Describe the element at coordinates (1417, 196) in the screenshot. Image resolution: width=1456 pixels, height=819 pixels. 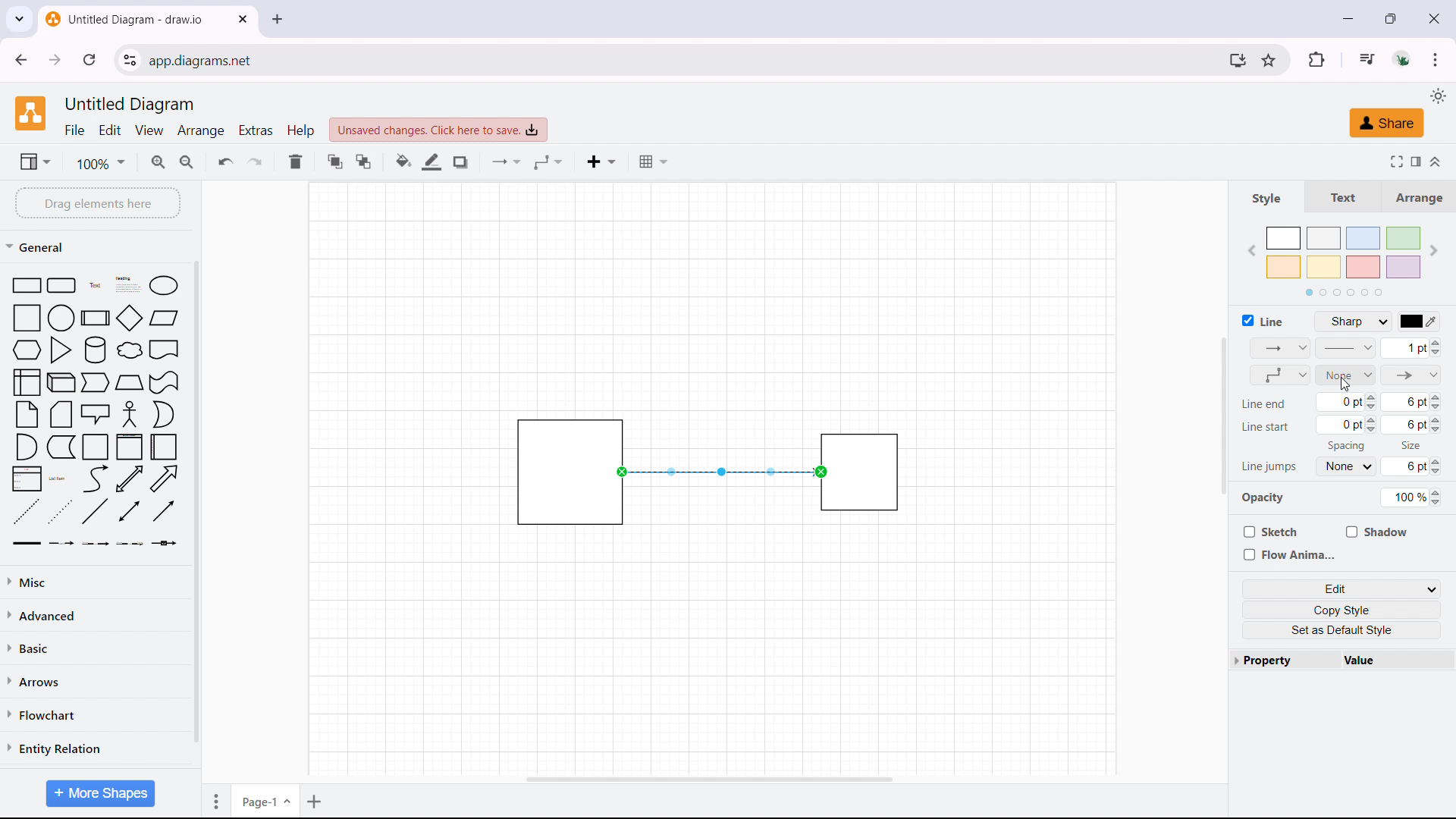
I see `arrange` at that location.